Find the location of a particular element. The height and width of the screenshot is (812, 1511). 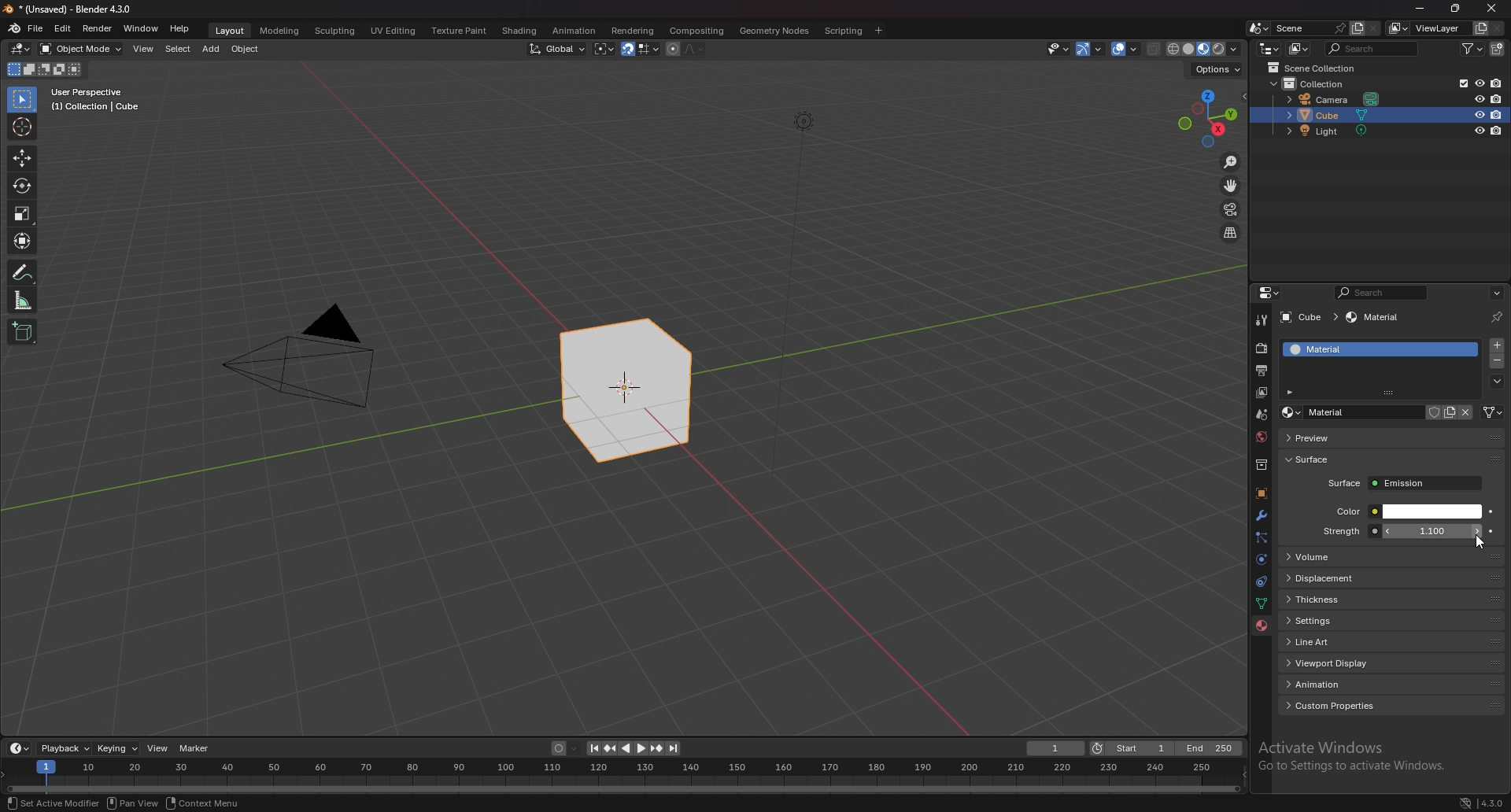

jump to endpoint is located at coordinates (674, 748).